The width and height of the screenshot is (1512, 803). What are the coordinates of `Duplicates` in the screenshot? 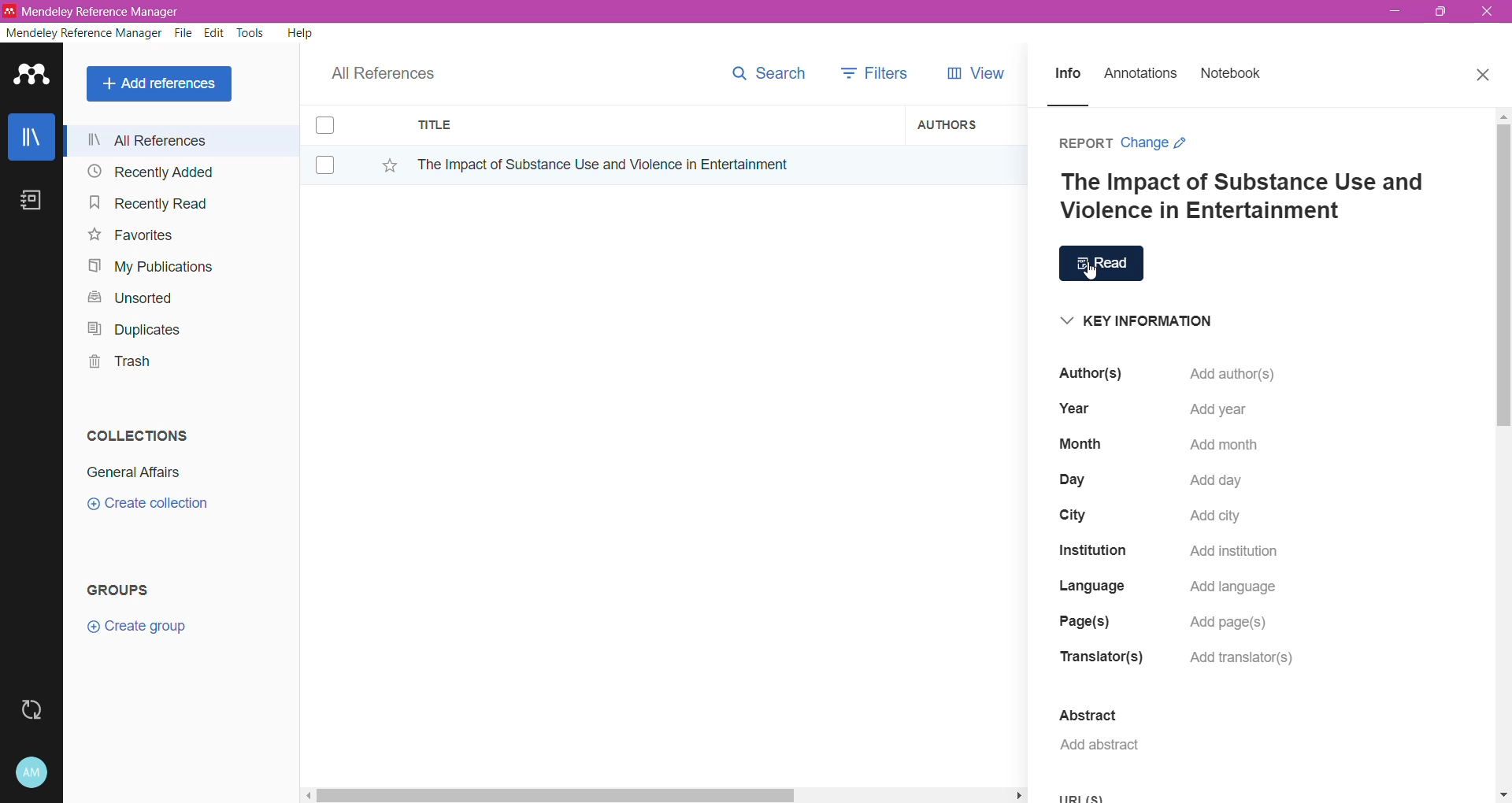 It's located at (135, 331).